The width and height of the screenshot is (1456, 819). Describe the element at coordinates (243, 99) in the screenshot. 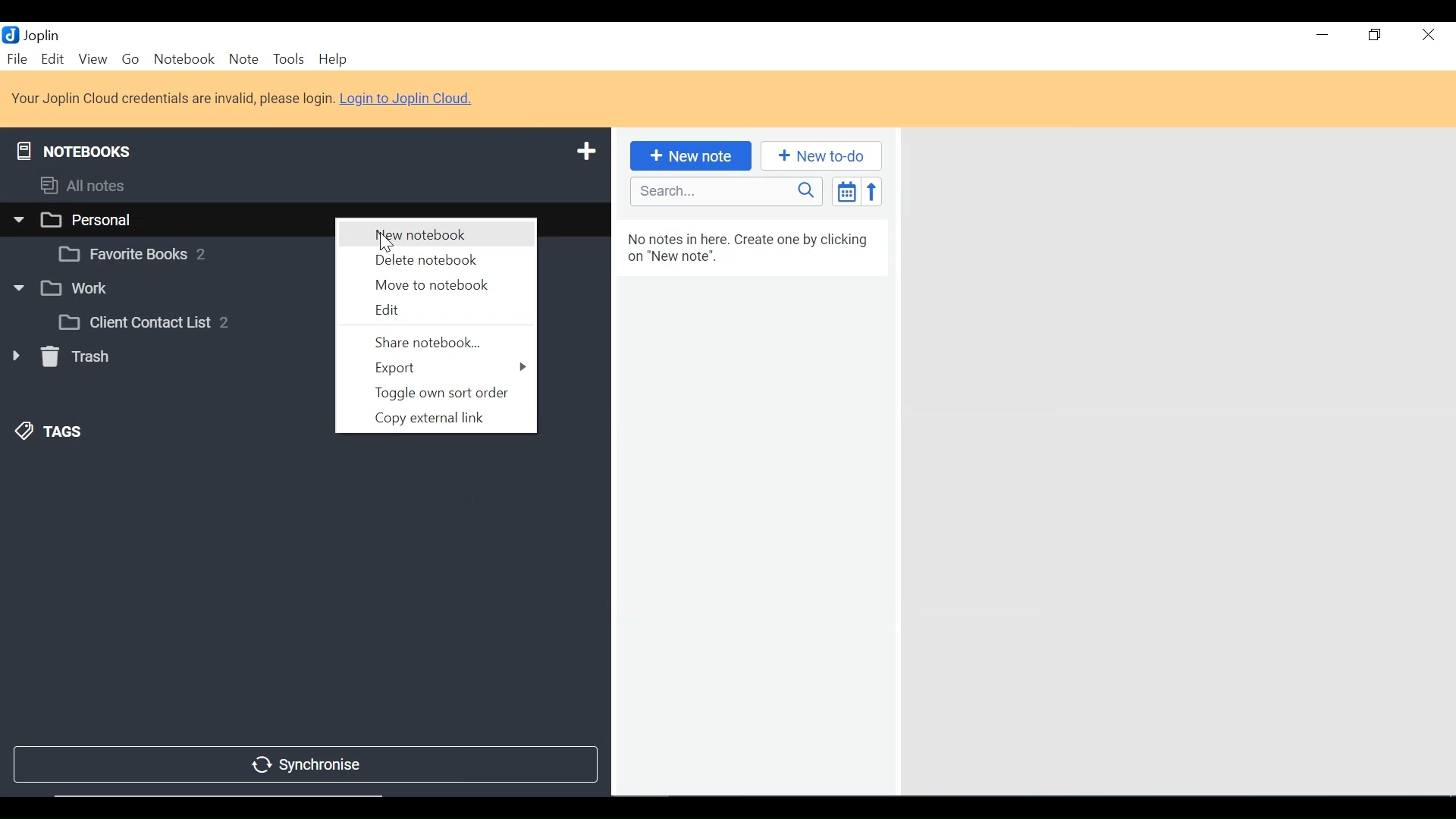

I see `Login to Joplin Cloud` at that location.